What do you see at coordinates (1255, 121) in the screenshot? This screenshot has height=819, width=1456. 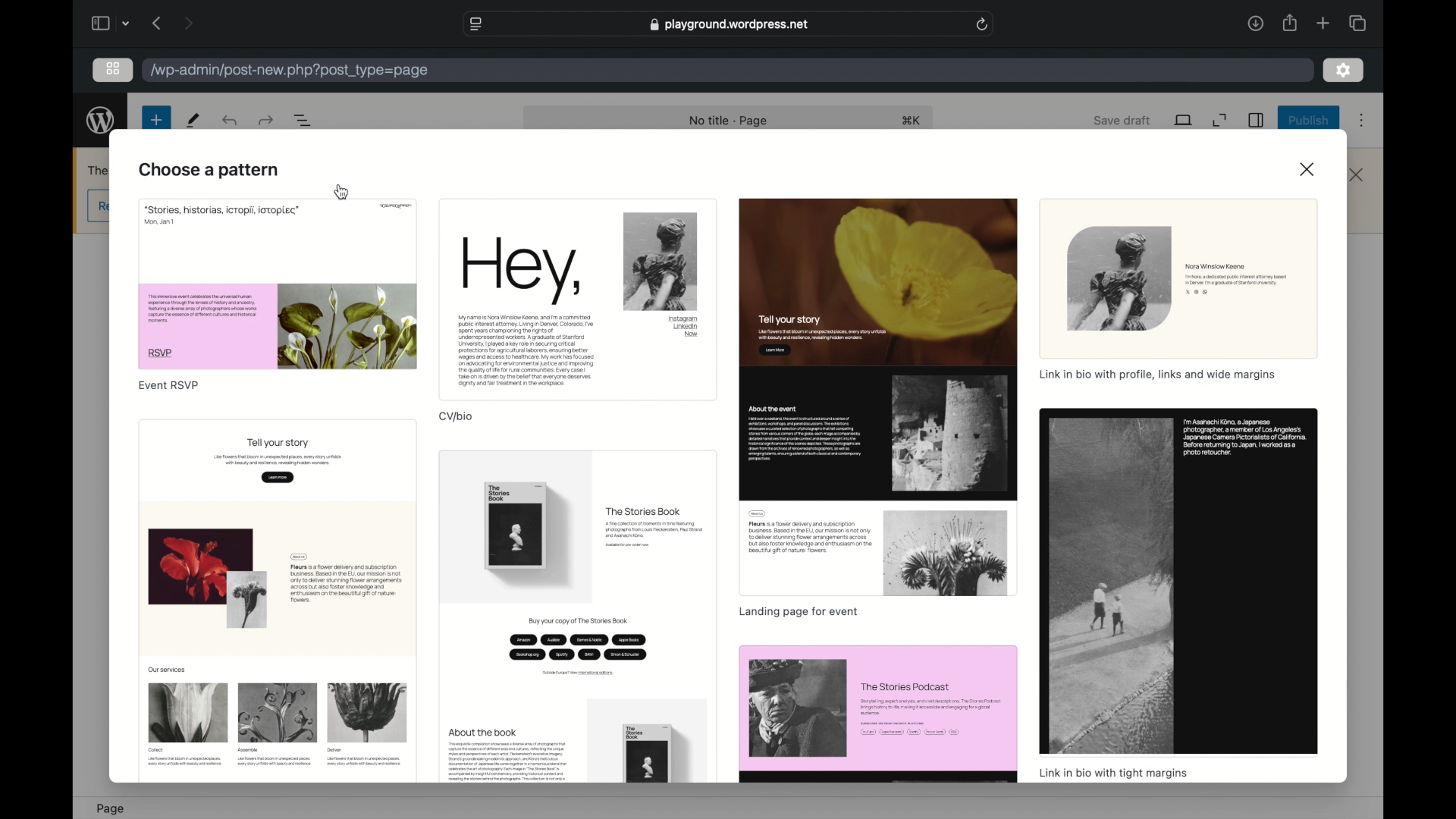 I see `sidebar` at bounding box center [1255, 121].